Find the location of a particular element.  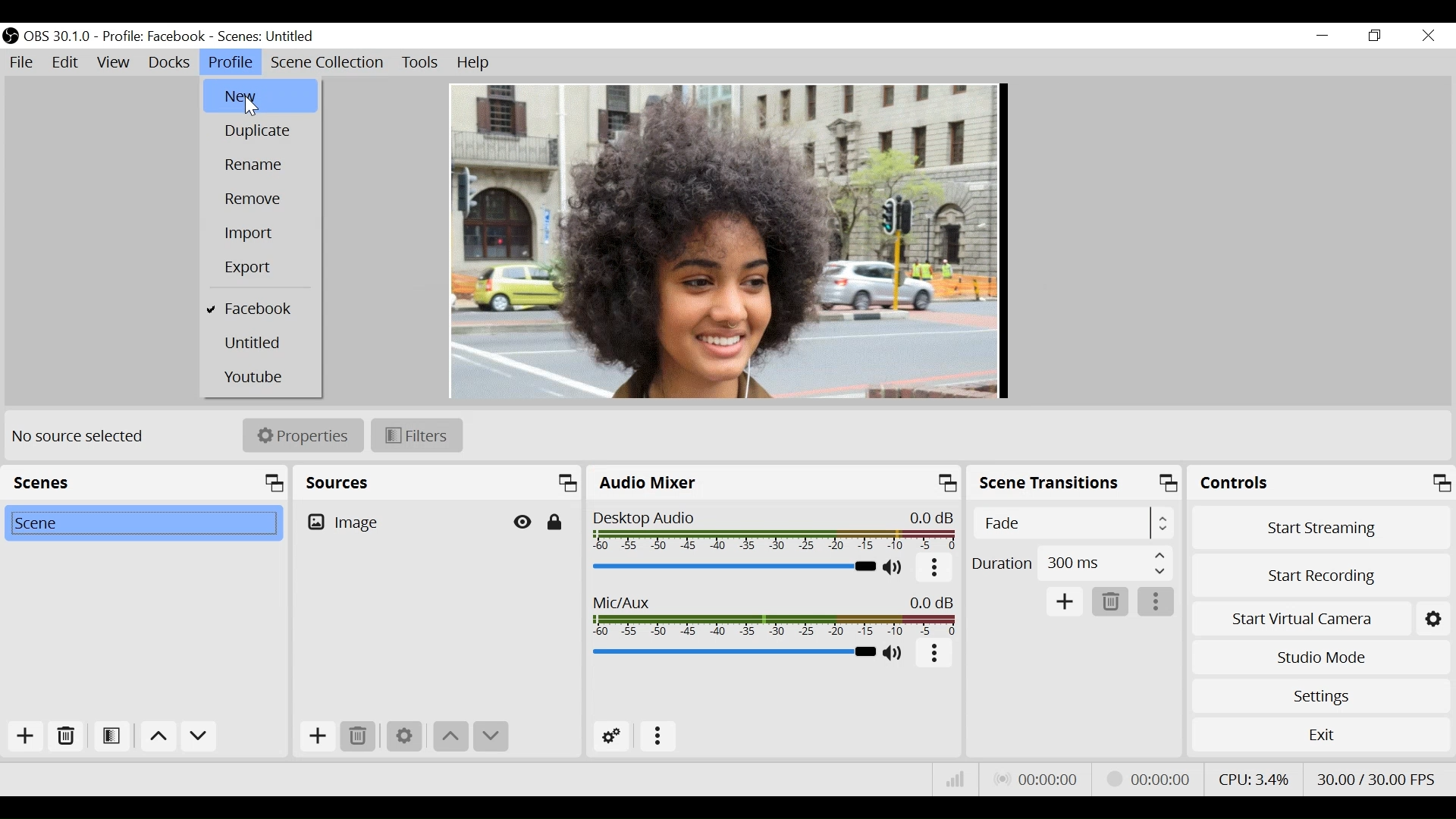

Desktop Audio is located at coordinates (776, 532).